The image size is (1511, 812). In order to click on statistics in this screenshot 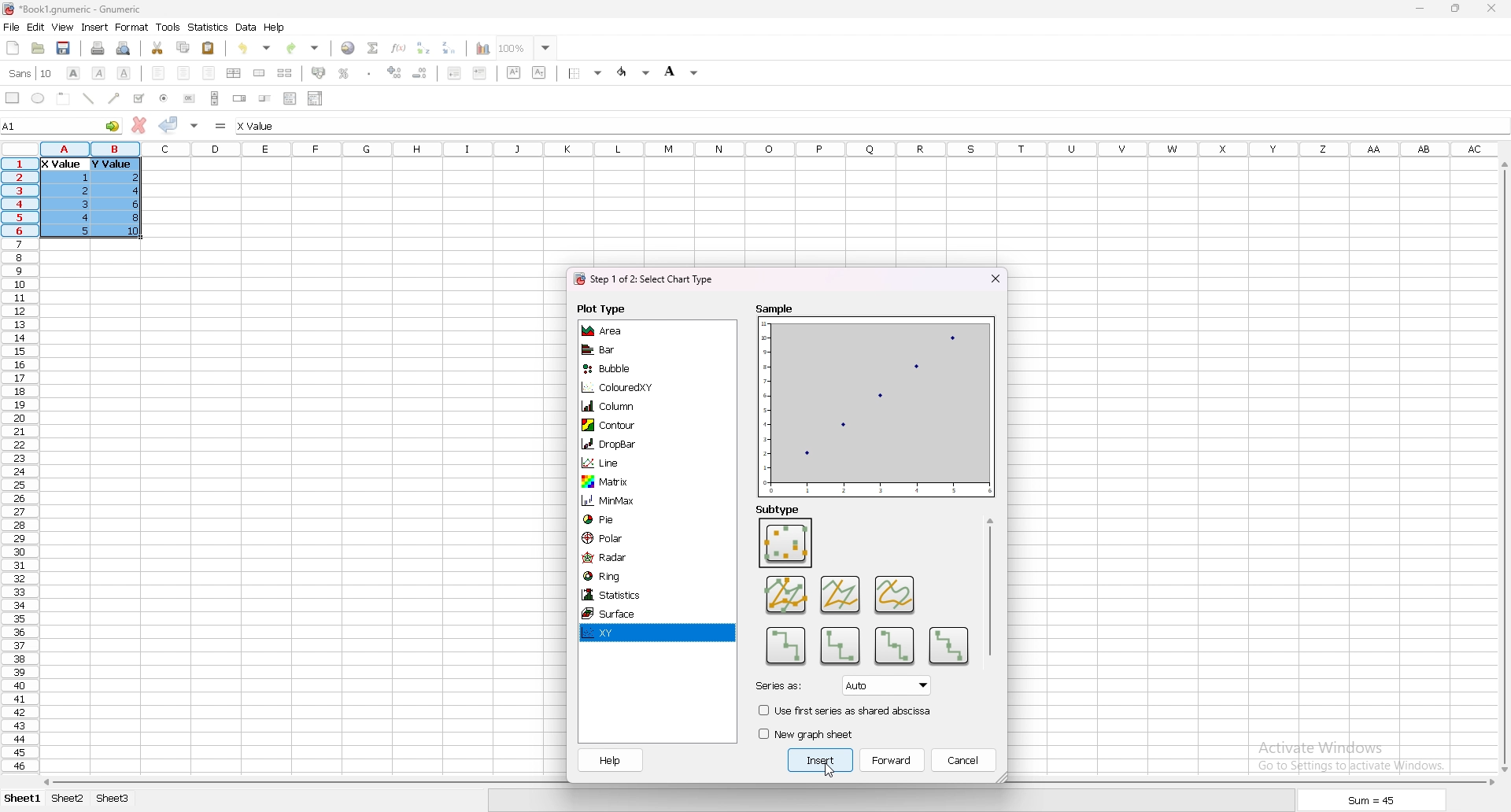, I will do `click(628, 596)`.